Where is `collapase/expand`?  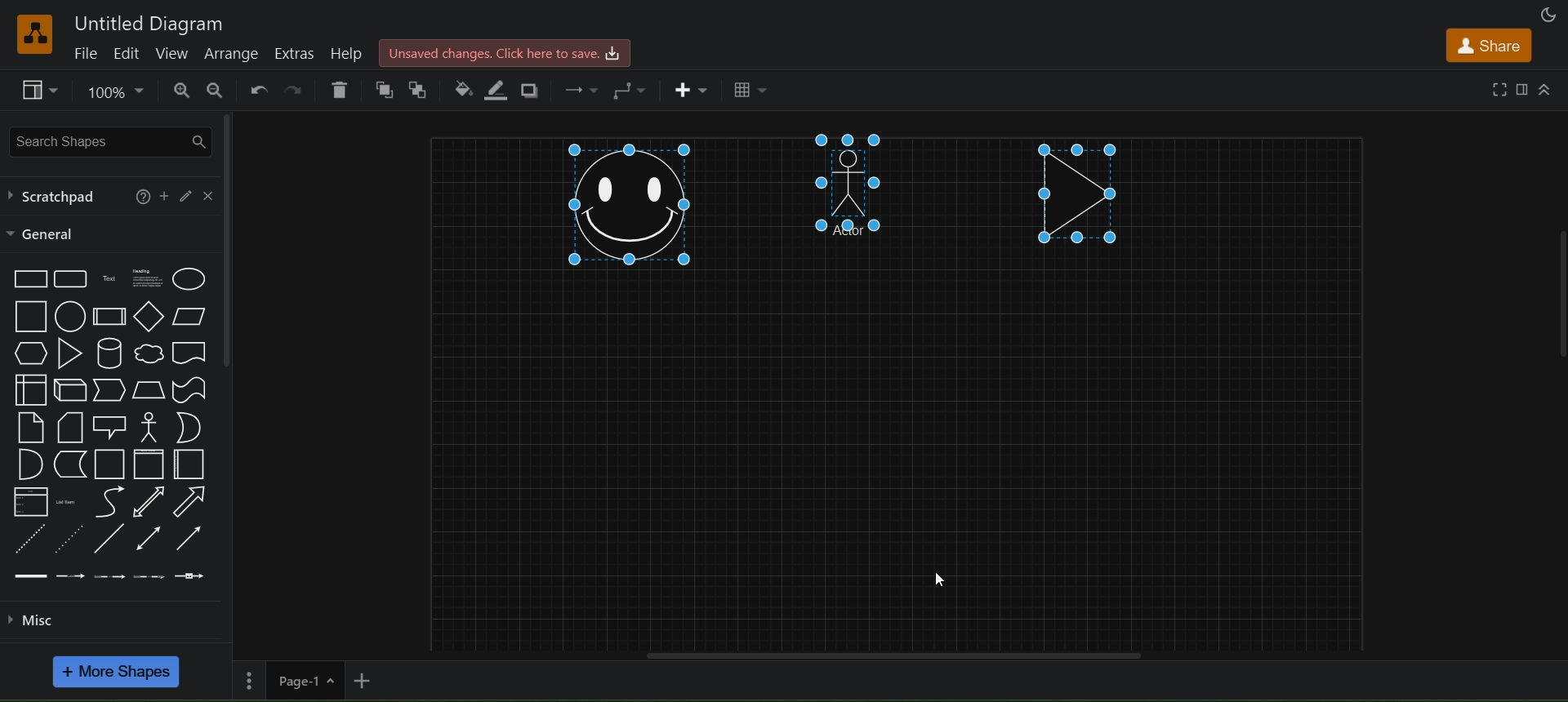 collapase/expand is located at coordinates (1547, 91).